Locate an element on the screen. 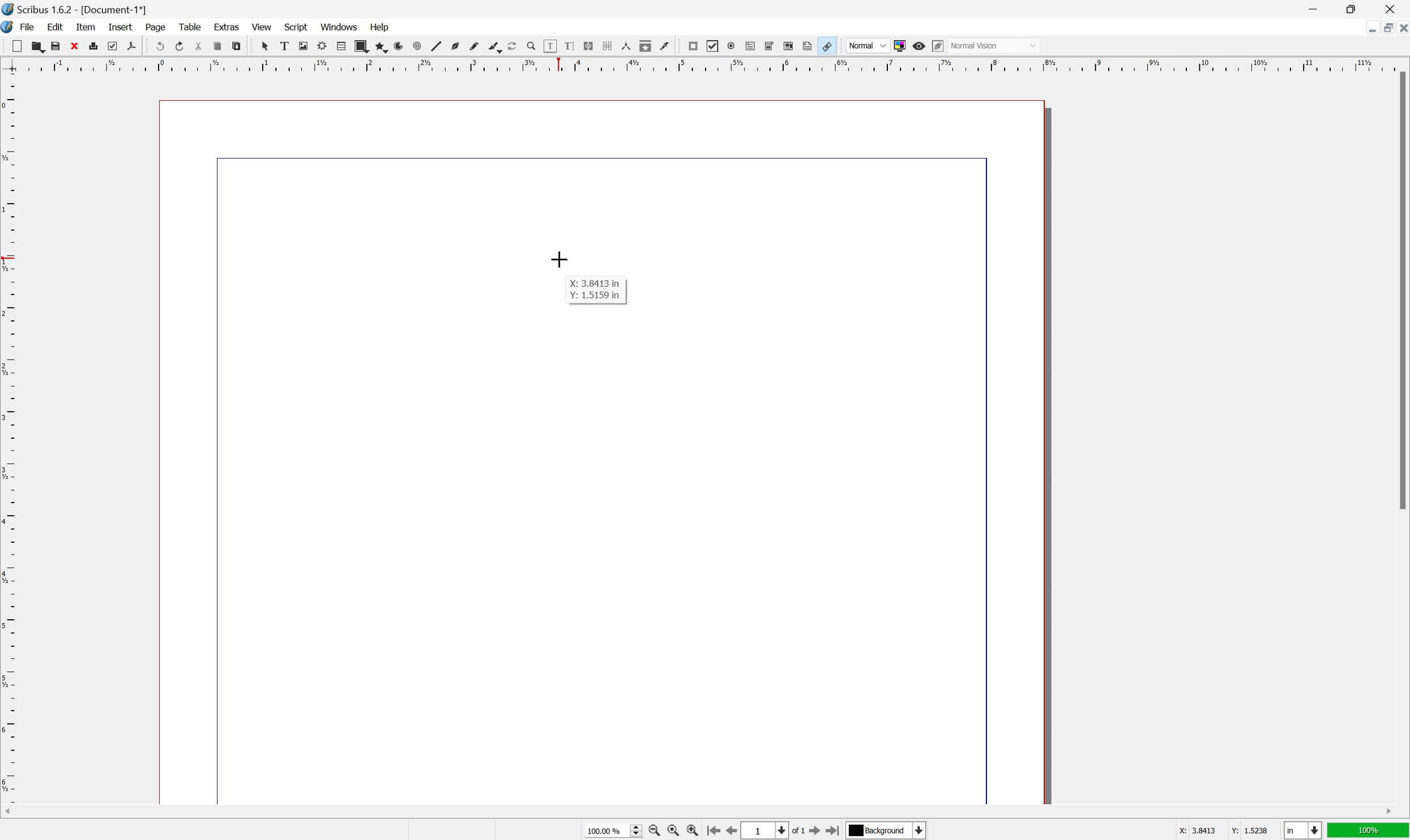  toggle color management system is located at coordinates (900, 46).